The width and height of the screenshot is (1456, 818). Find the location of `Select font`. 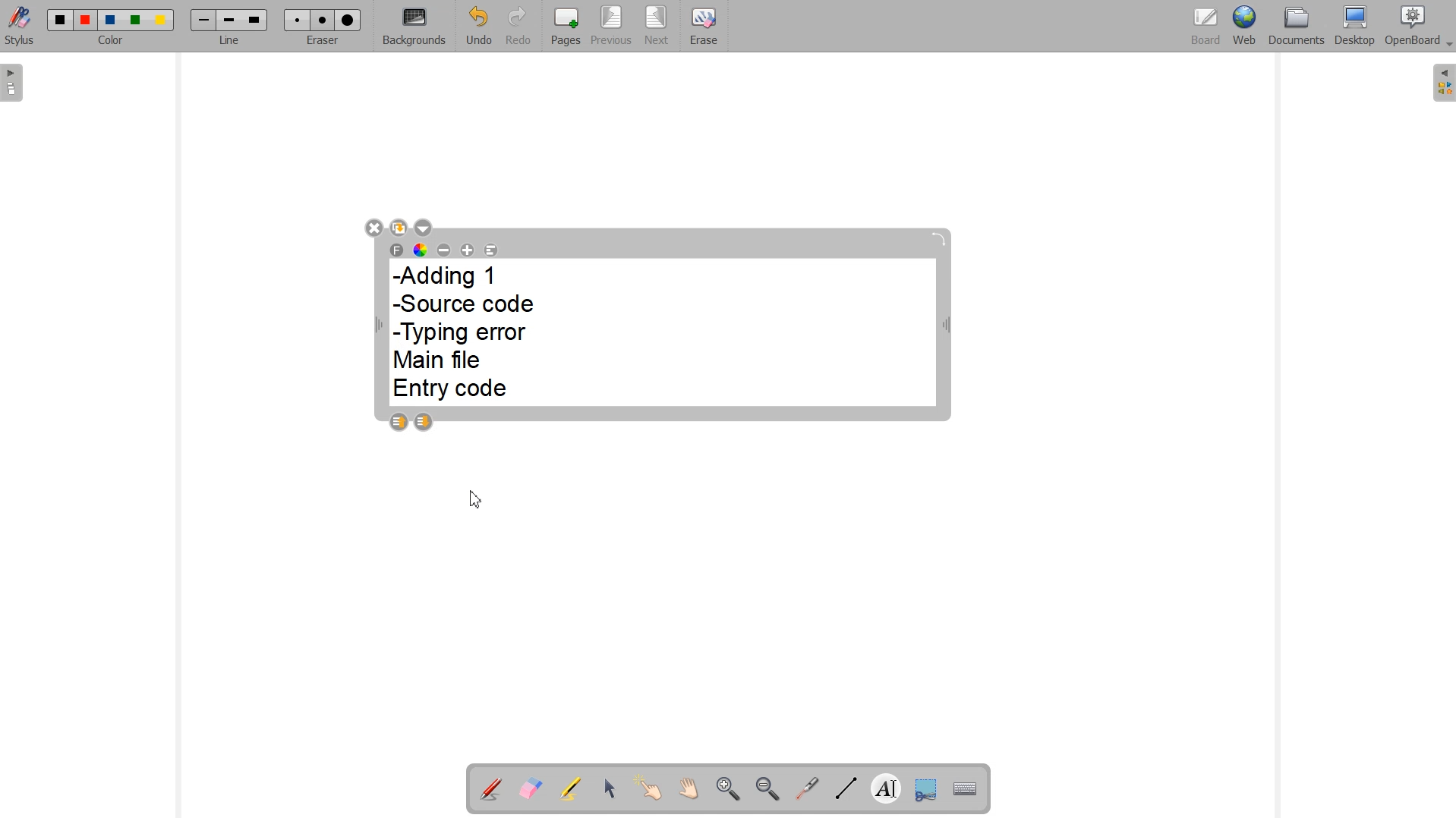

Select font is located at coordinates (397, 250).